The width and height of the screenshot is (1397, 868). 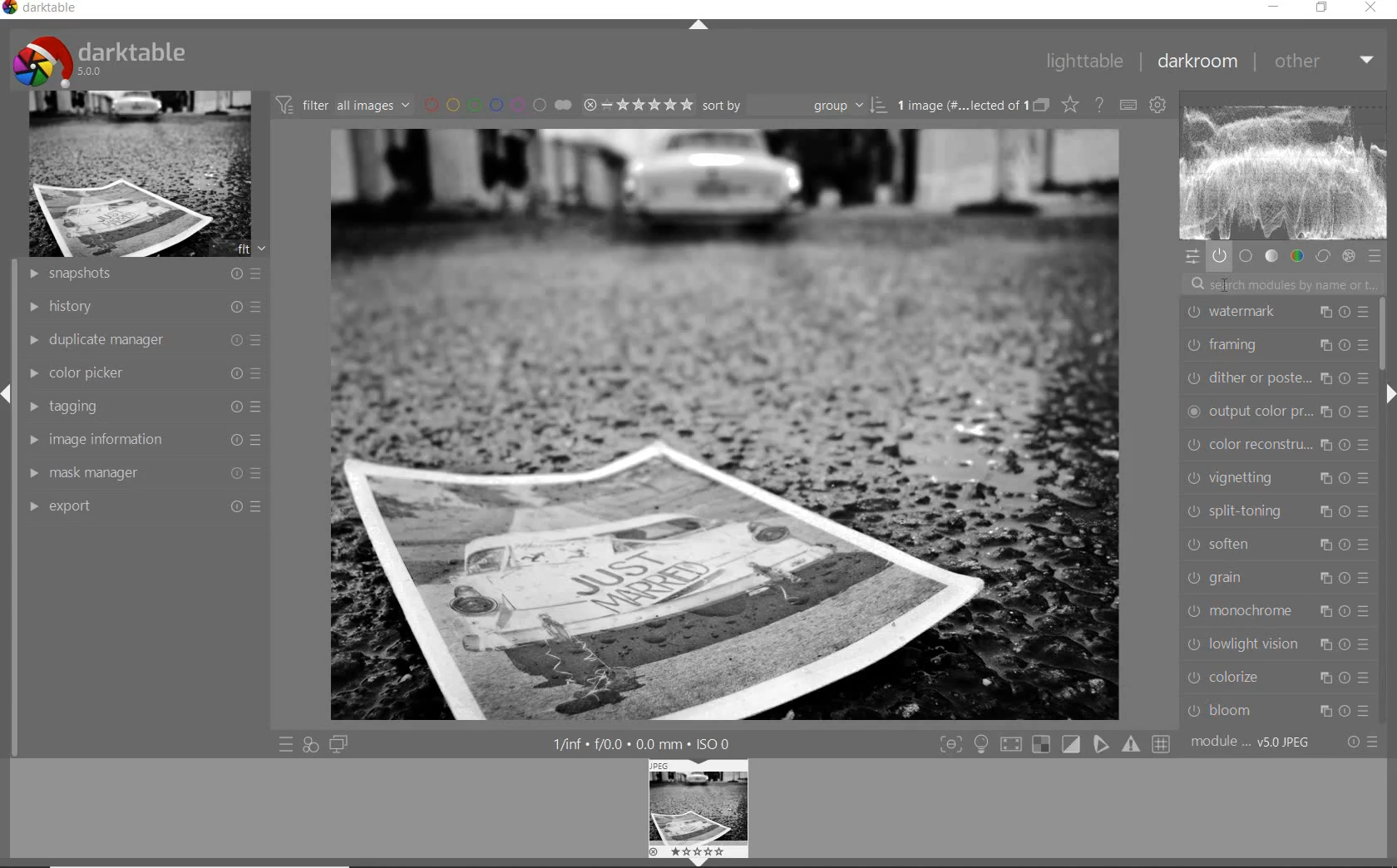 I want to click on dither or paste, so click(x=1276, y=380).